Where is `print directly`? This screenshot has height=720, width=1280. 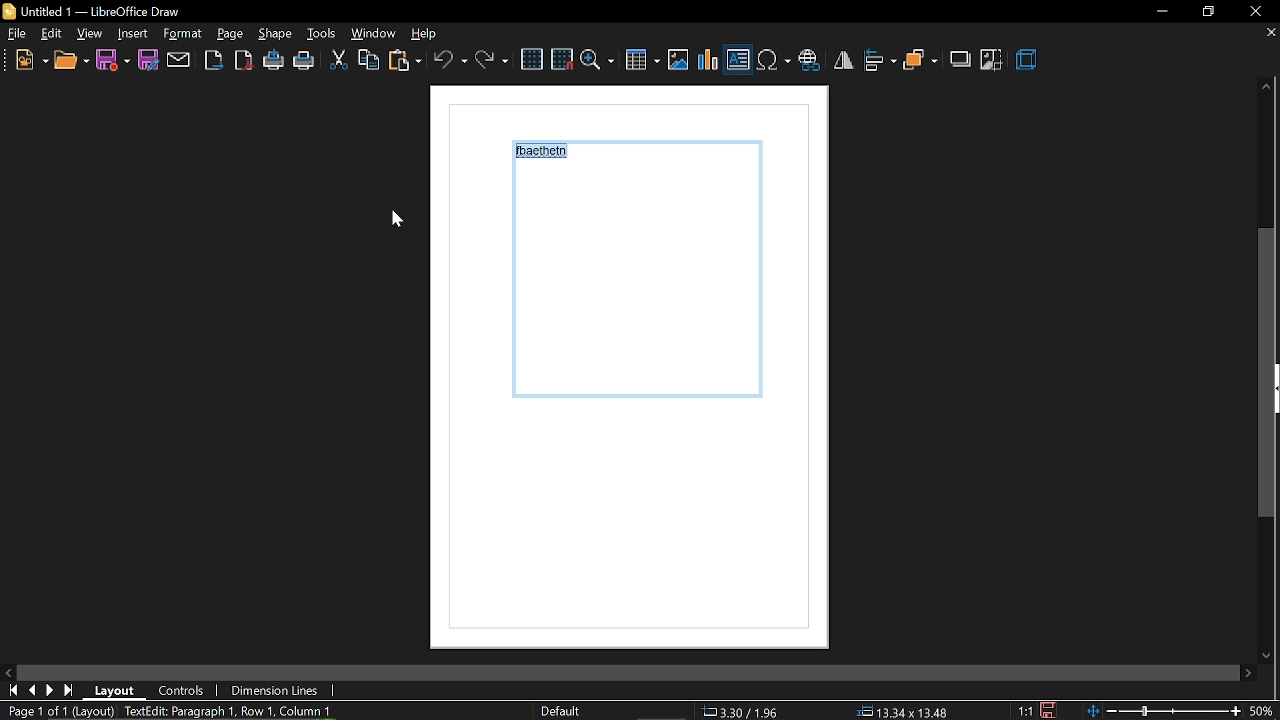
print directly is located at coordinates (274, 59).